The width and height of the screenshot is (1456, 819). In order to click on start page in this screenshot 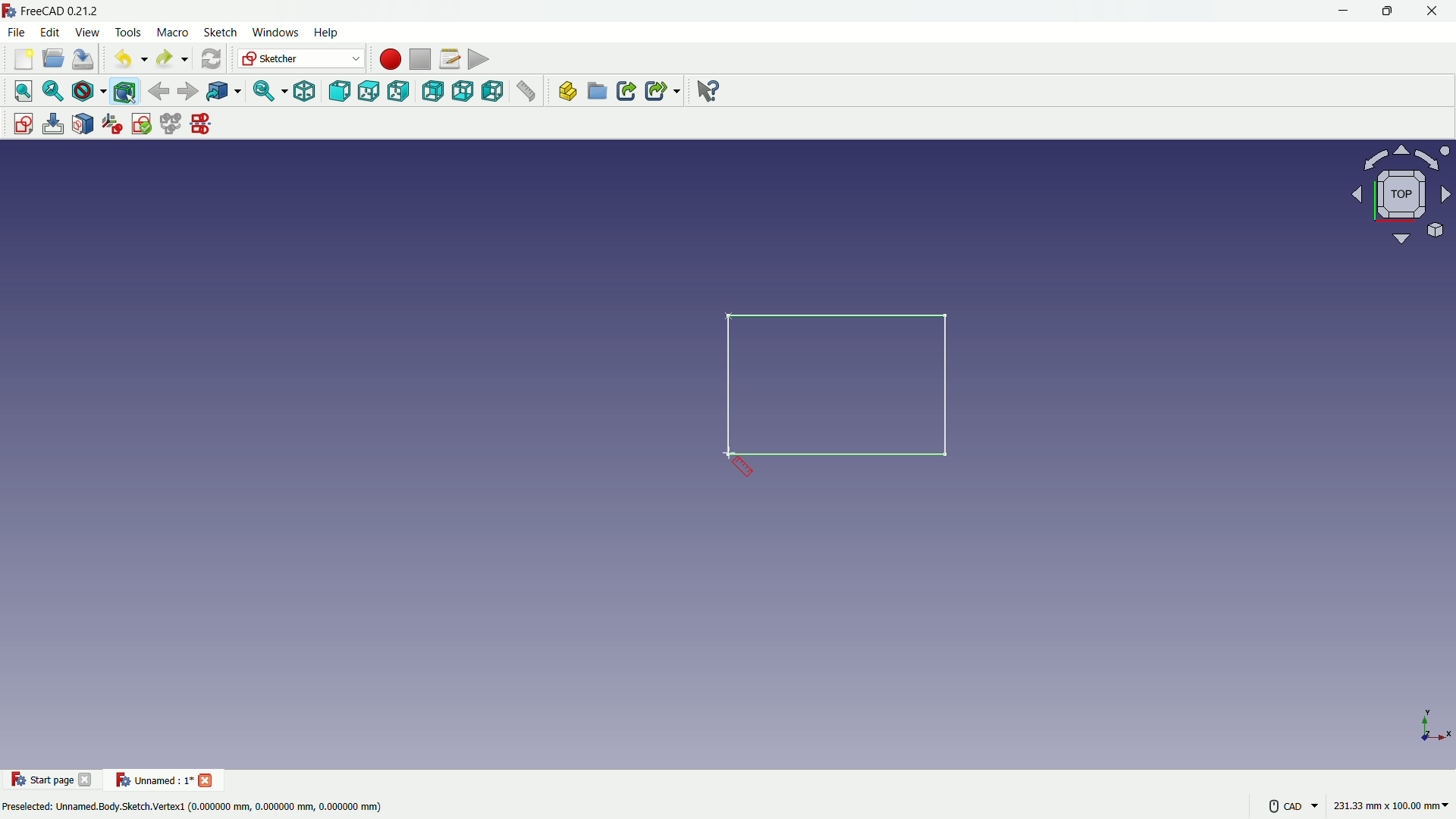, I will do `click(42, 780)`.